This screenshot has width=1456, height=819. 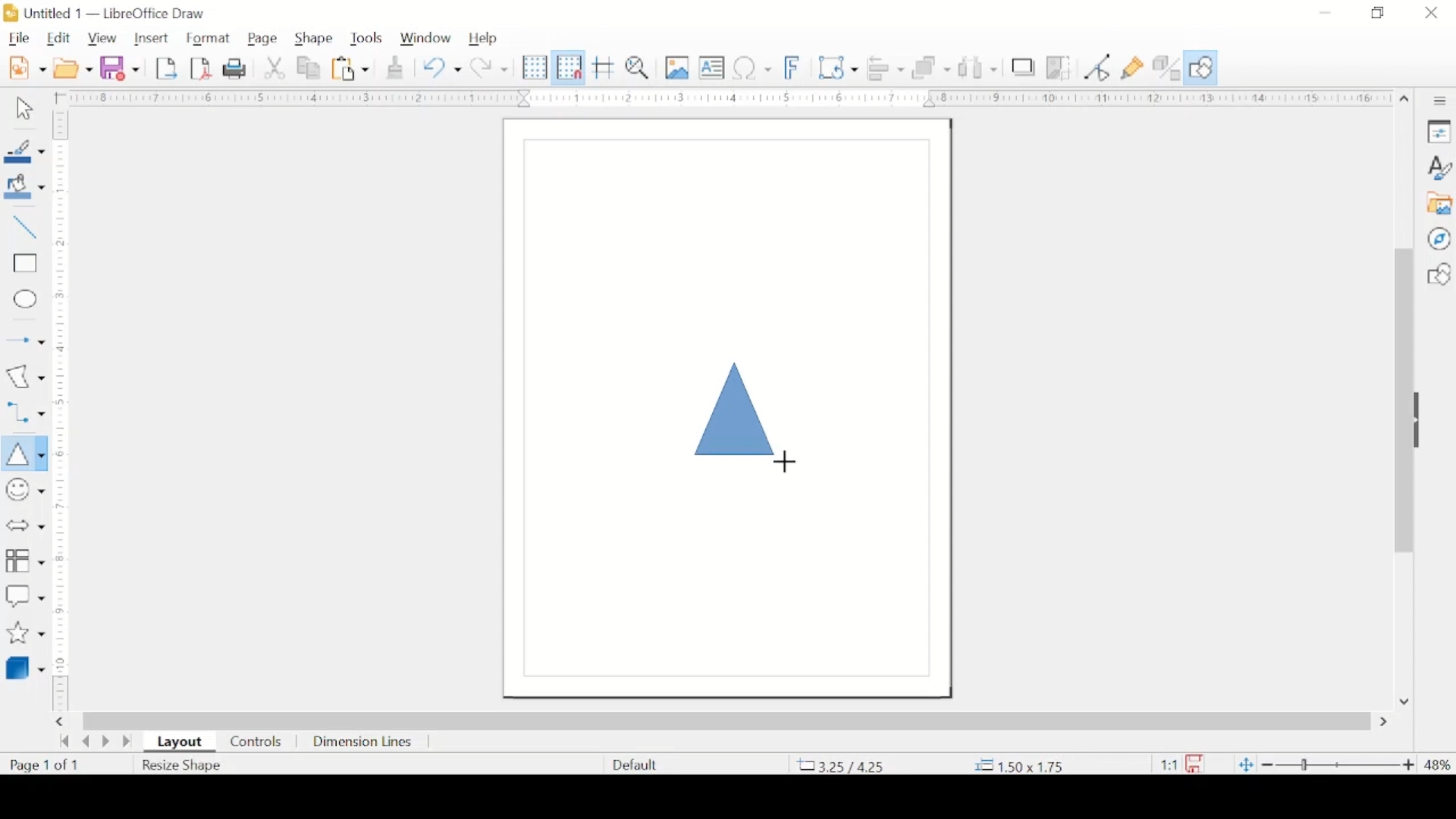 What do you see at coordinates (234, 68) in the screenshot?
I see `print` at bounding box center [234, 68].